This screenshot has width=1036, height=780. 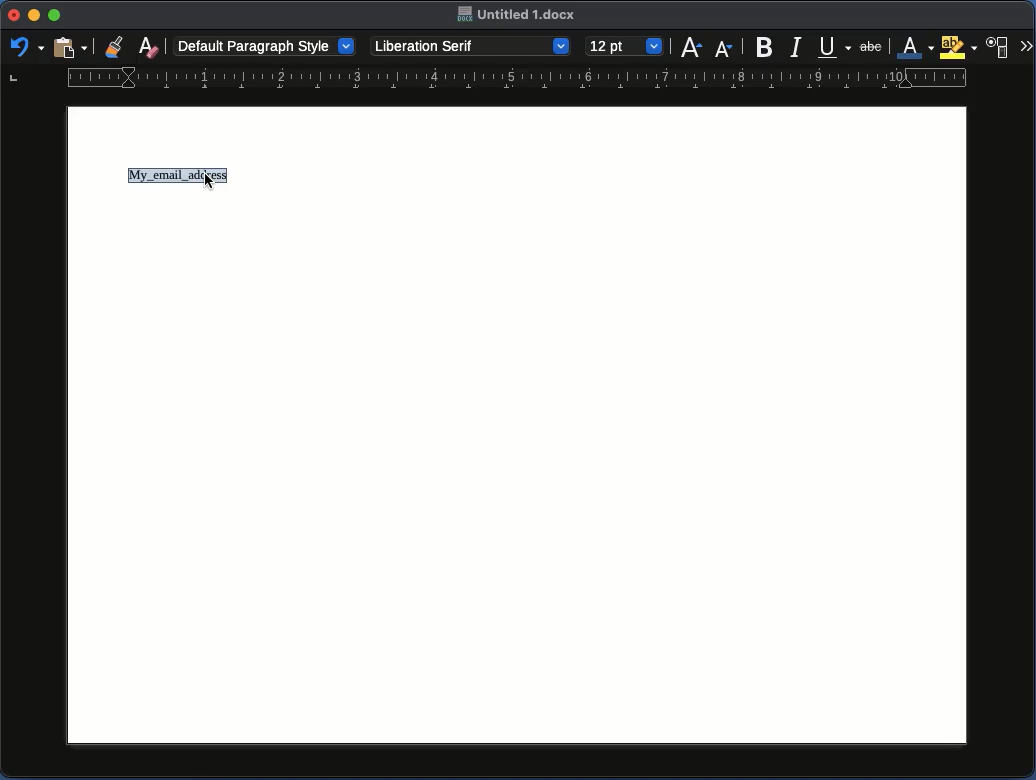 What do you see at coordinates (873, 48) in the screenshot?
I see `abc` at bounding box center [873, 48].